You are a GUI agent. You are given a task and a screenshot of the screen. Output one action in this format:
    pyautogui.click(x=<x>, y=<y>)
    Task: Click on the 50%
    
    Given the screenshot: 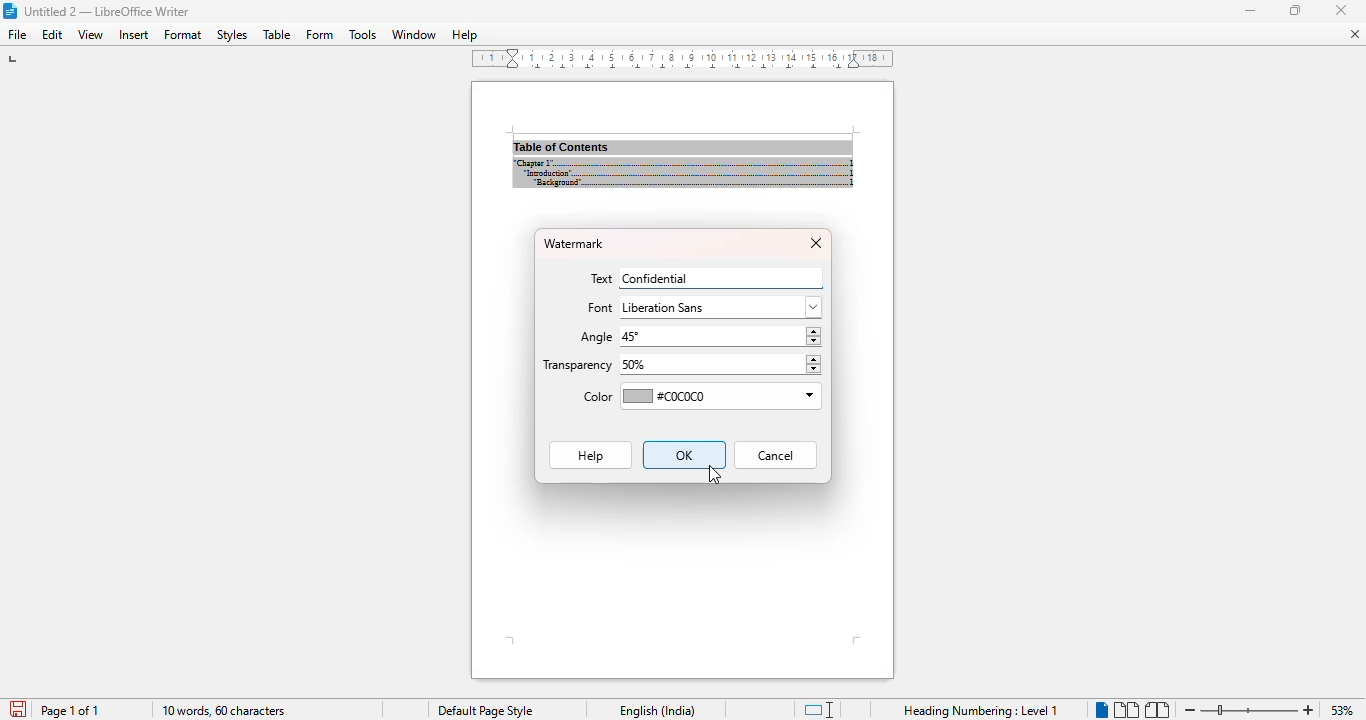 What is the action you would take?
    pyautogui.click(x=721, y=364)
    